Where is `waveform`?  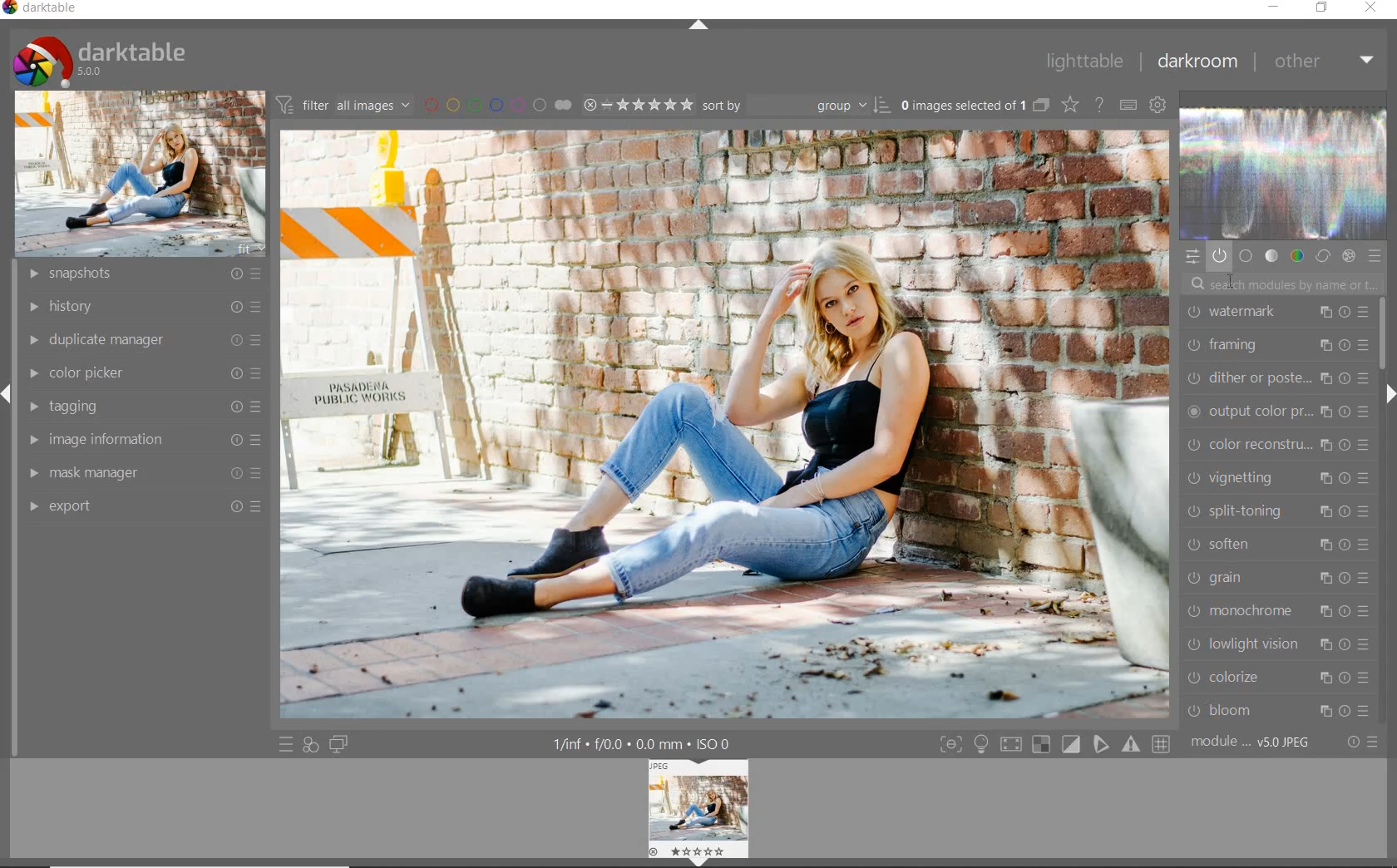
waveform is located at coordinates (1285, 172).